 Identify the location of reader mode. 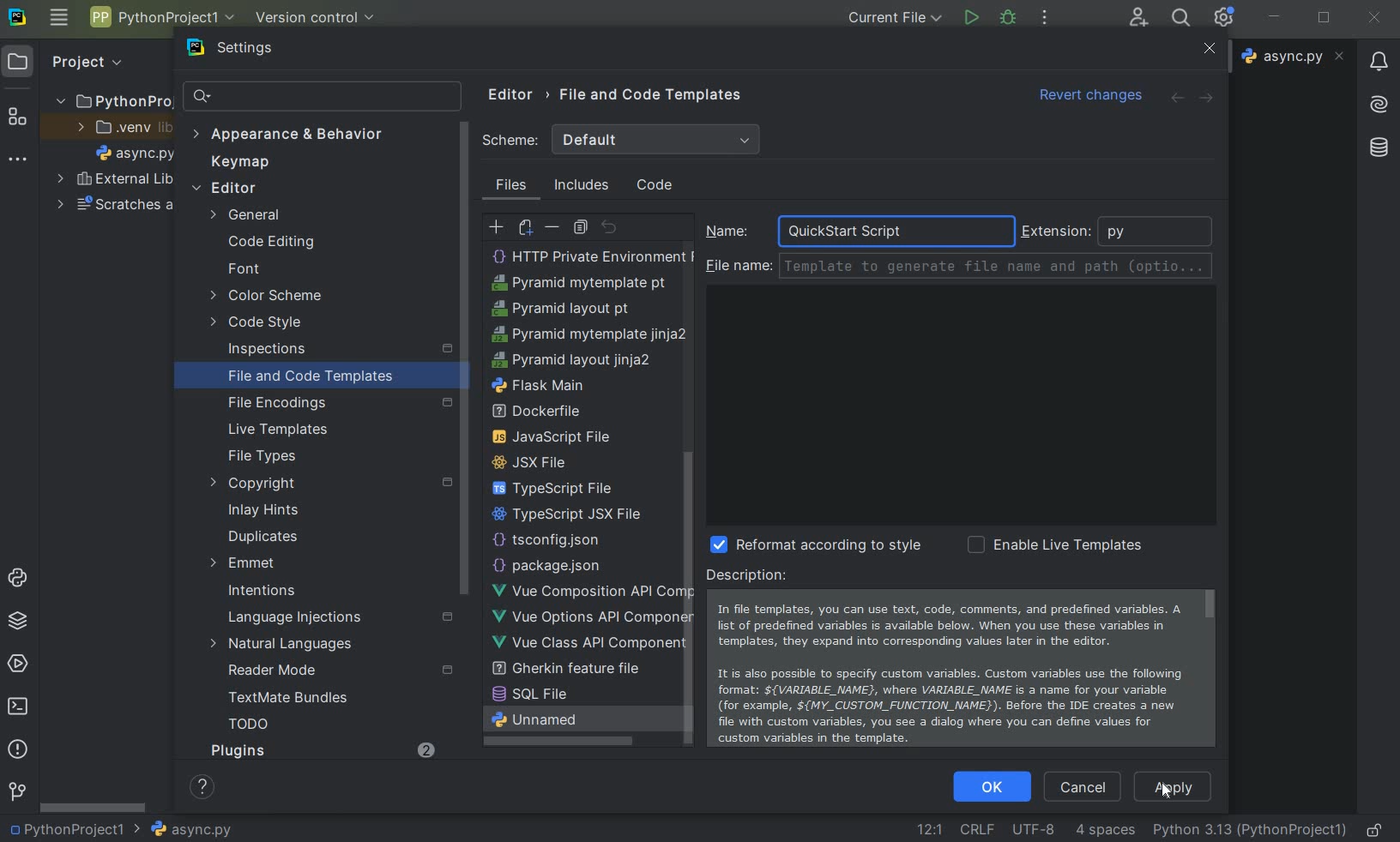
(344, 673).